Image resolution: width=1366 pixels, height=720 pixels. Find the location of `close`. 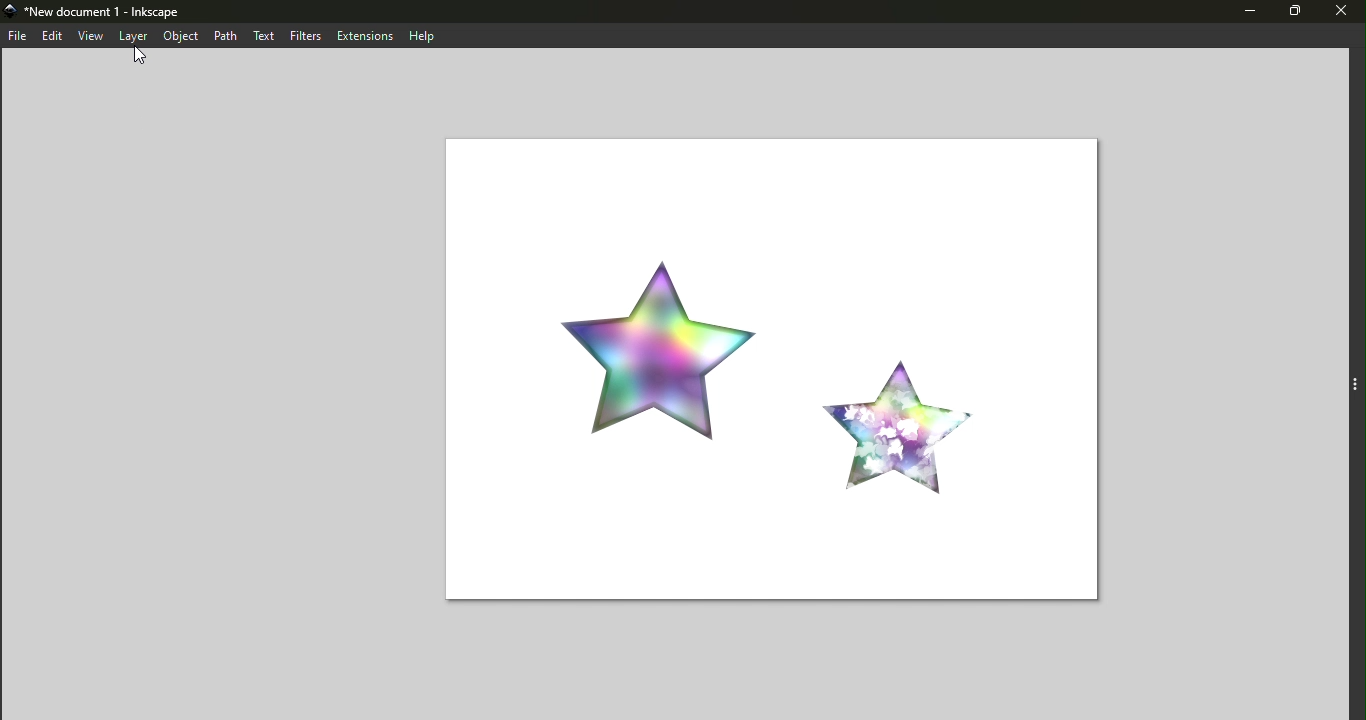

close is located at coordinates (1345, 13).